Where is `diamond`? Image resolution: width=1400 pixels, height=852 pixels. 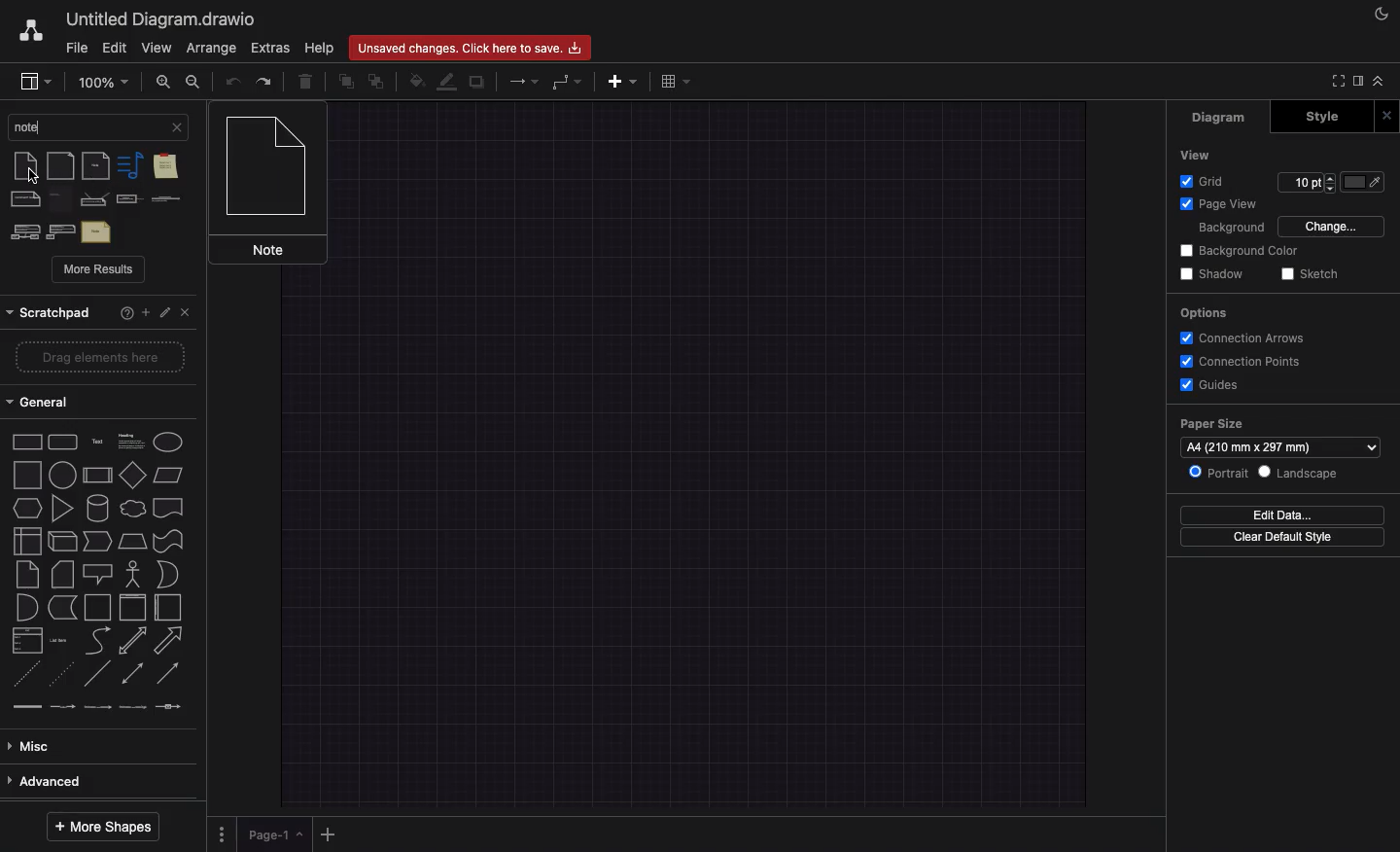 diamond is located at coordinates (98, 478).